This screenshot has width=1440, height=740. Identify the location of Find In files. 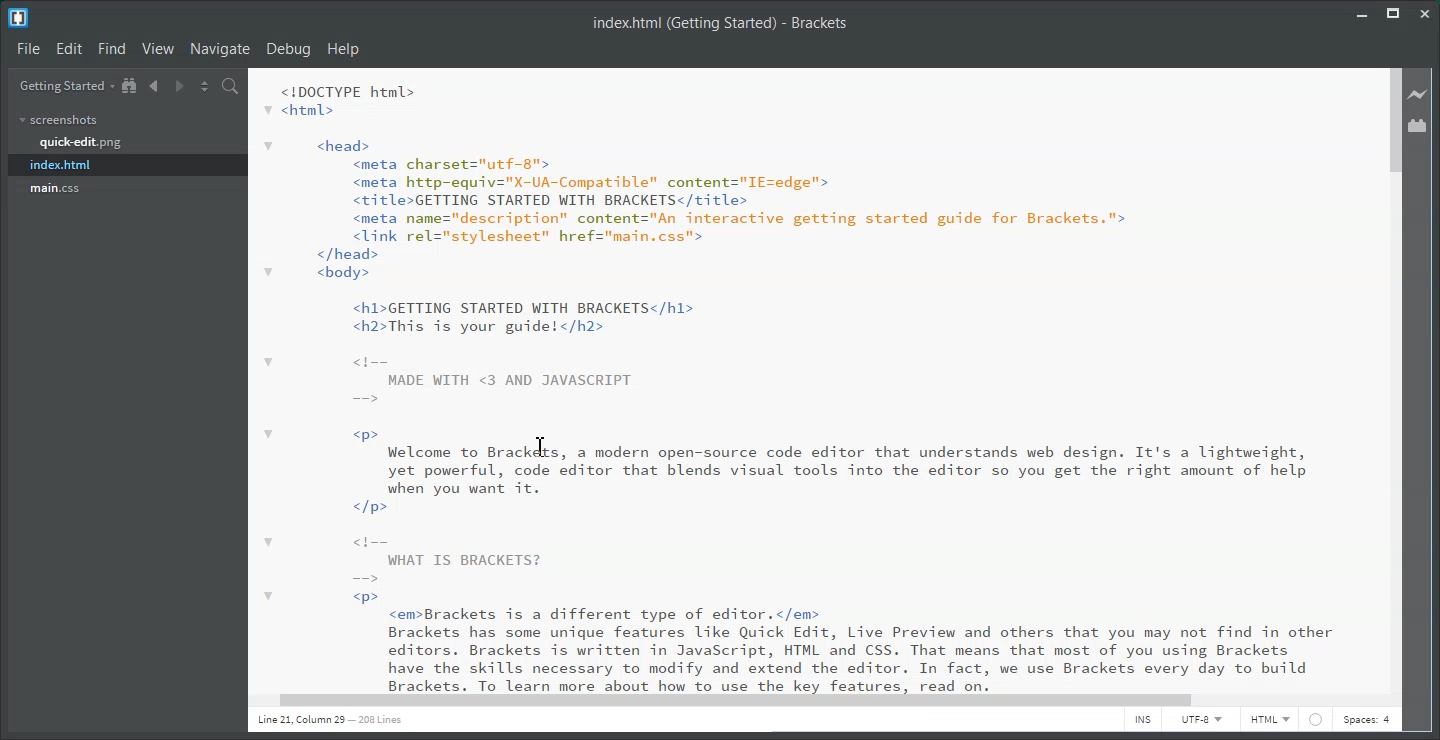
(230, 85).